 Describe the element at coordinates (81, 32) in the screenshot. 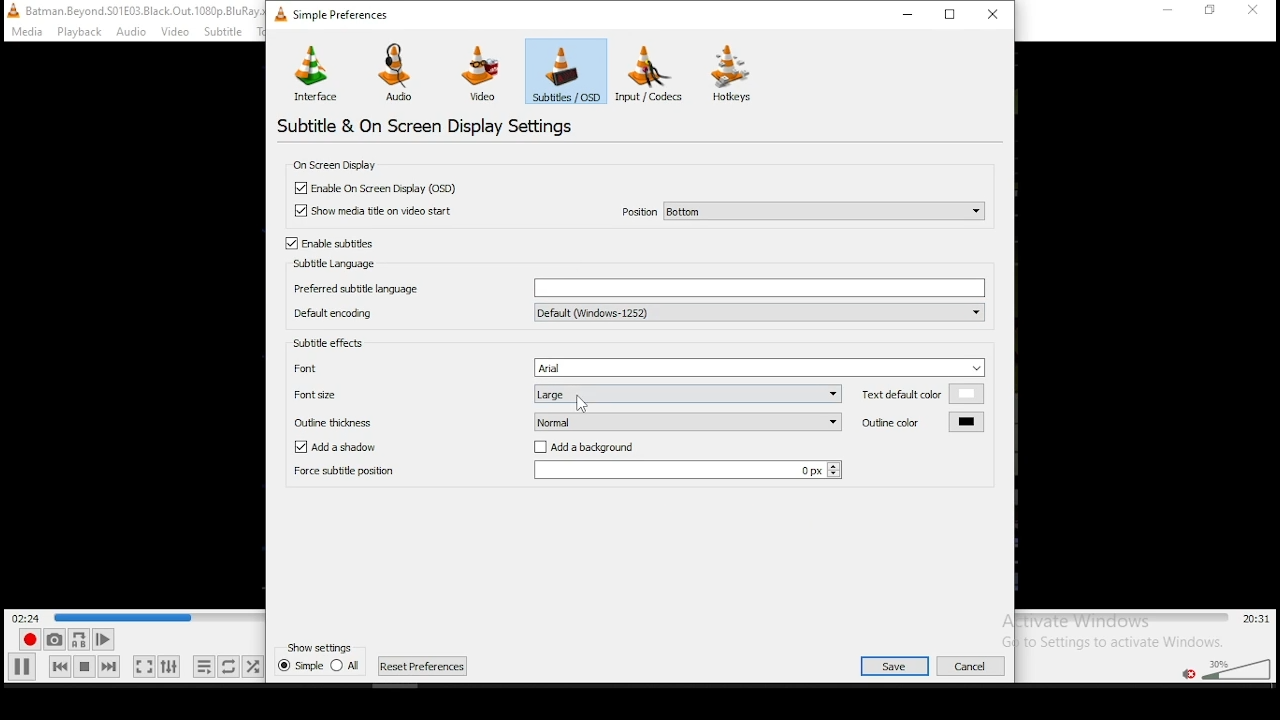

I see `playback` at that location.